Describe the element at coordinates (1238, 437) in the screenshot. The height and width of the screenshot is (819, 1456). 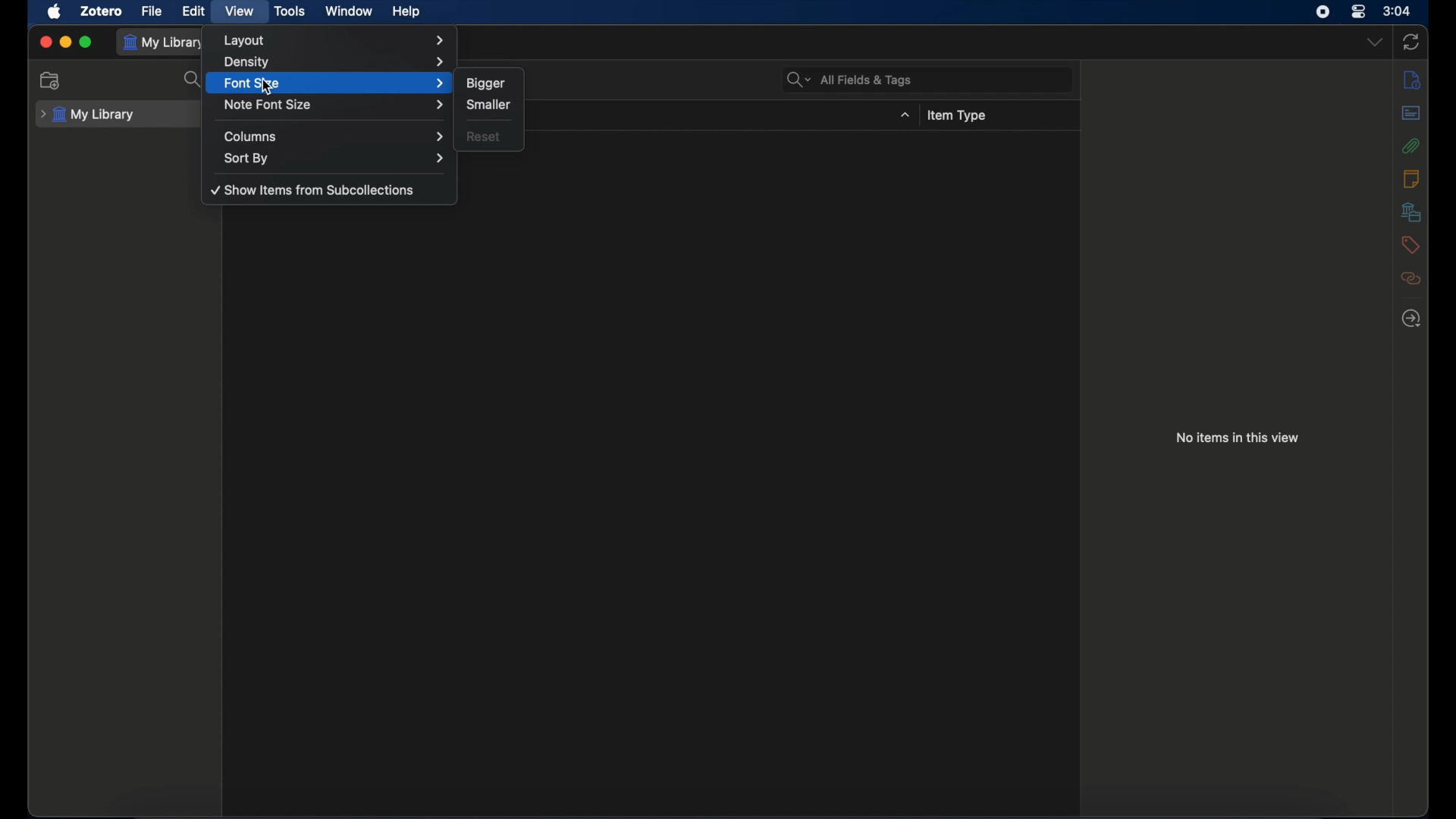
I see `no items in this view` at that location.